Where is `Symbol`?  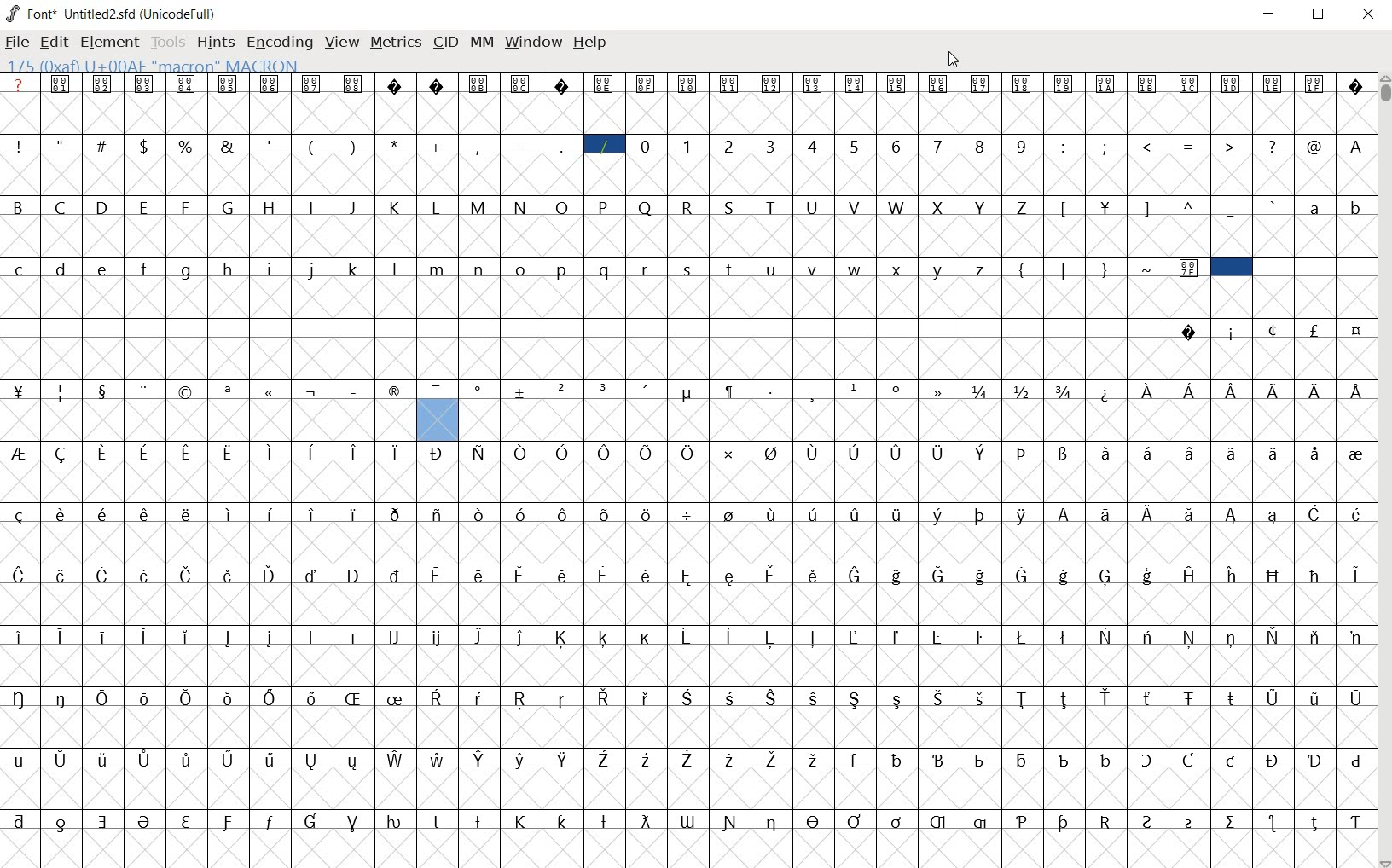
Symbol is located at coordinates (727, 638).